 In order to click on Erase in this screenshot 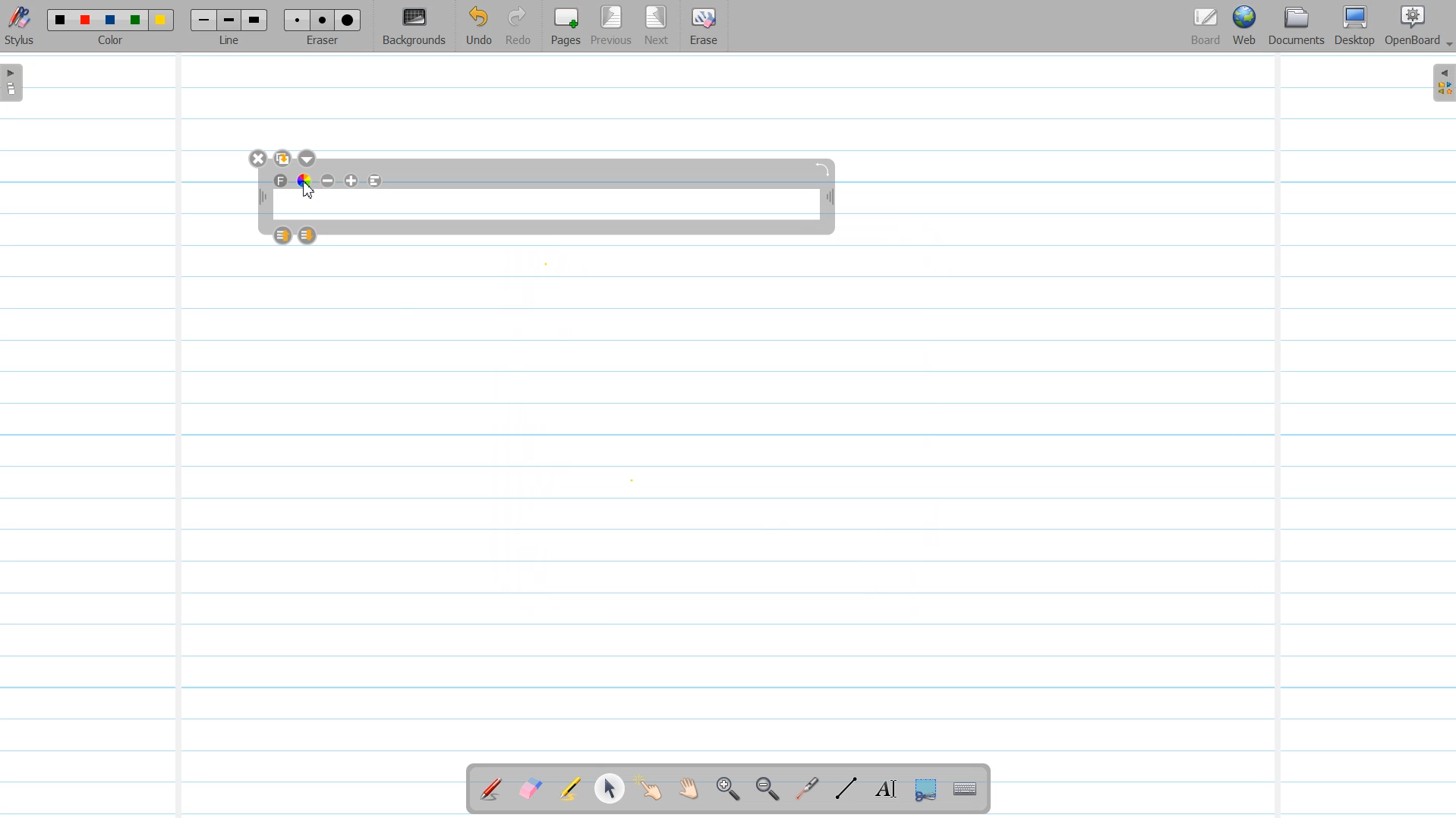, I will do `click(702, 27)`.